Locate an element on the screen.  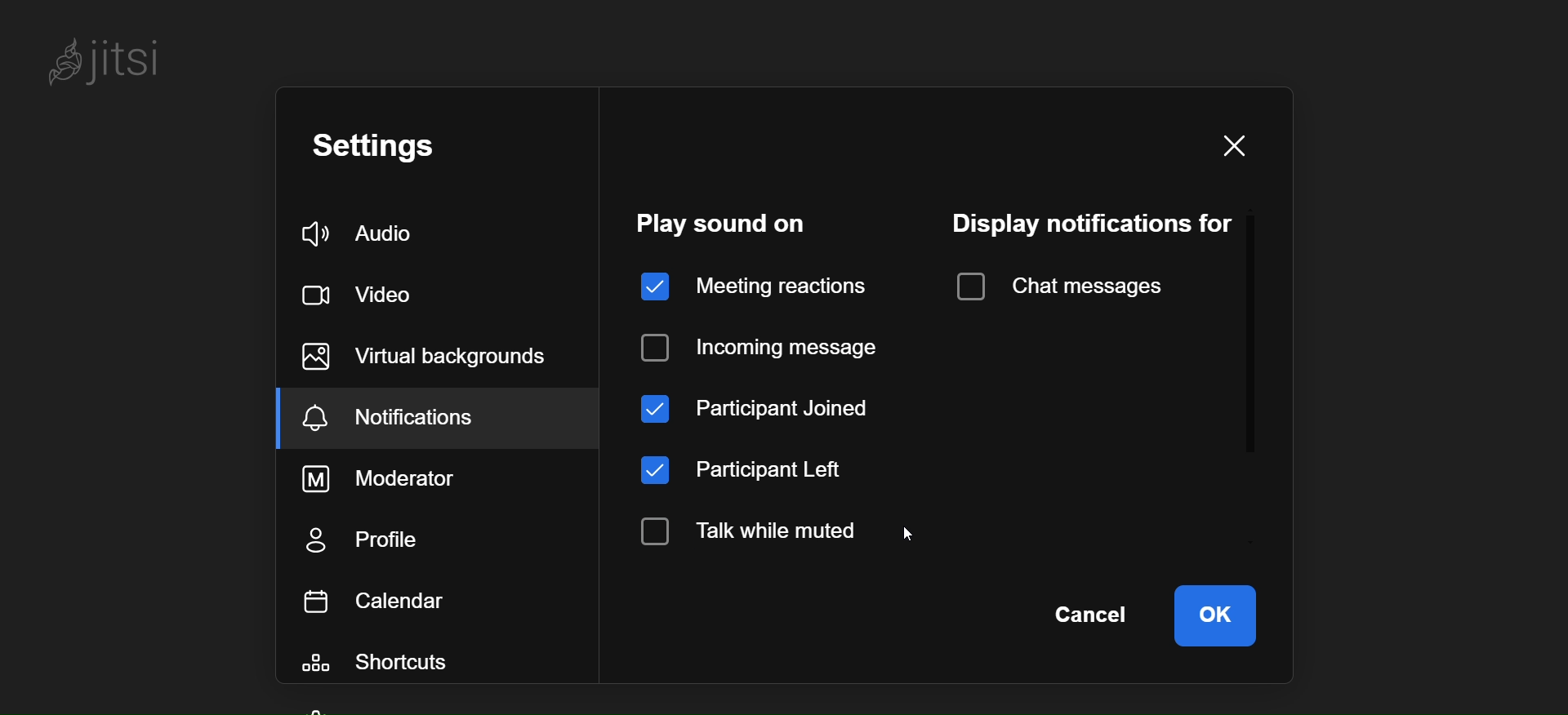
cancel is located at coordinates (1093, 616).